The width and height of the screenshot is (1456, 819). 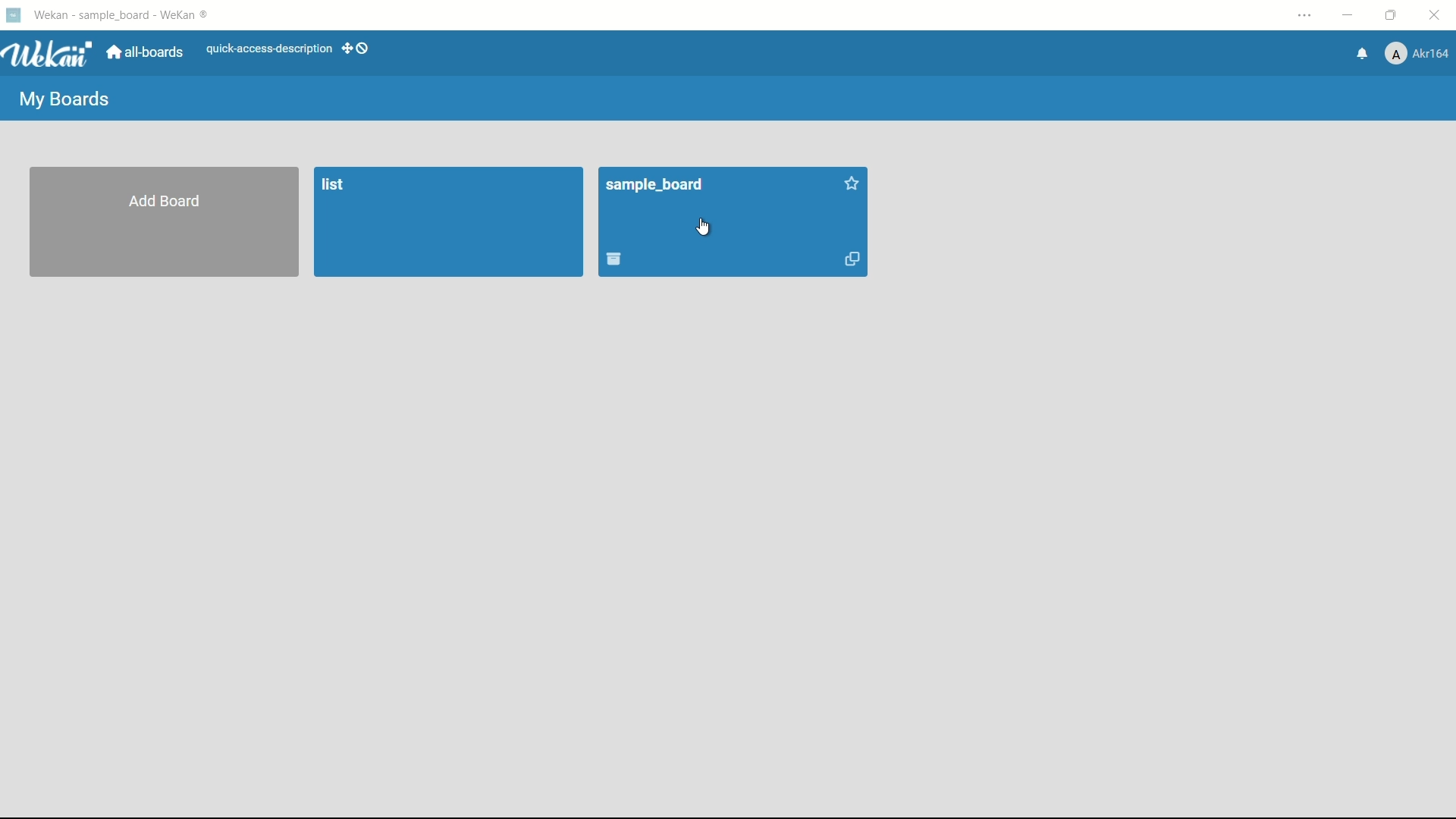 What do you see at coordinates (1389, 16) in the screenshot?
I see `maximize` at bounding box center [1389, 16].